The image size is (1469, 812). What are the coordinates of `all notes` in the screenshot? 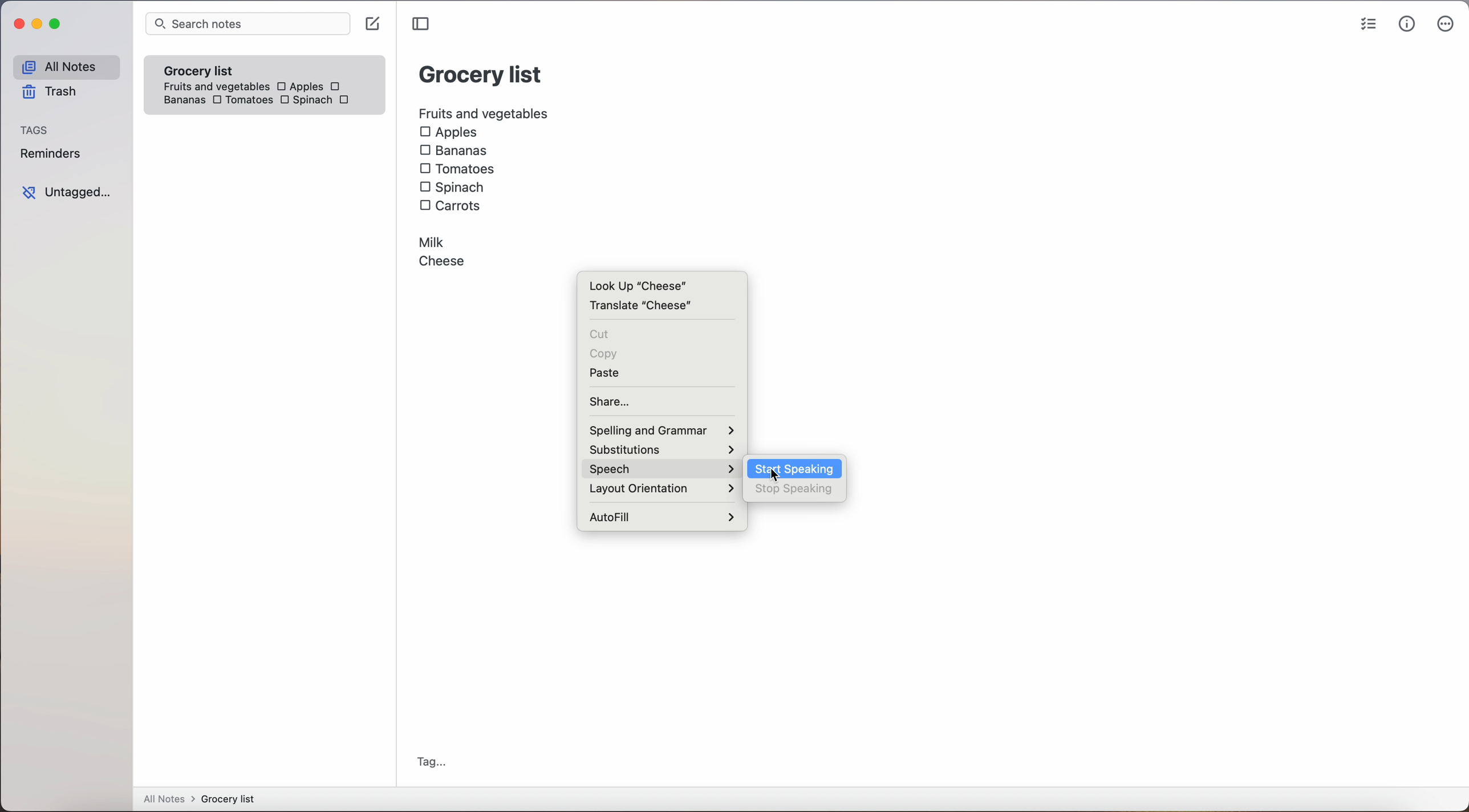 It's located at (64, 66).